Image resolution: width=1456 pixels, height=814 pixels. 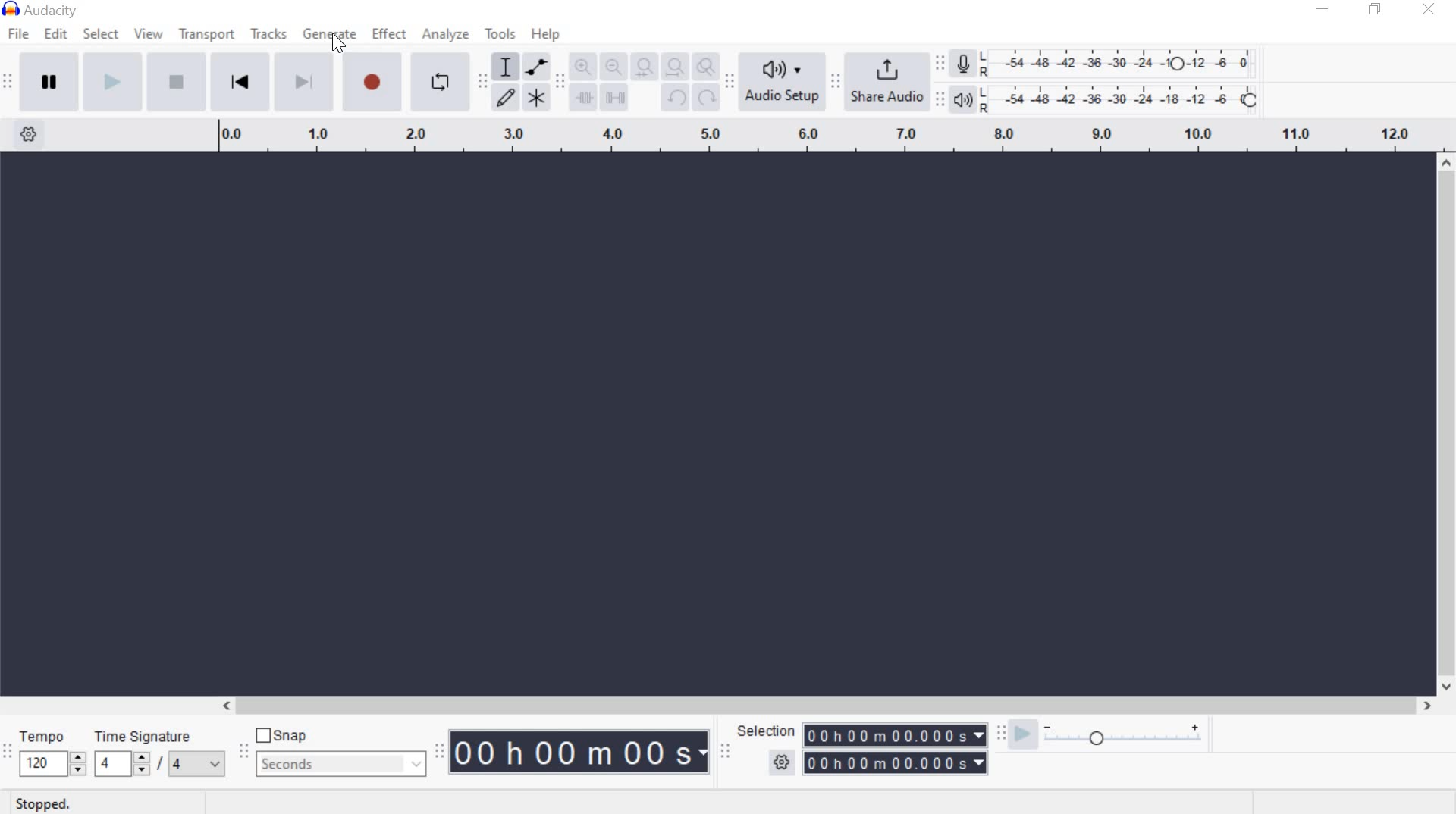 What do you see at coordinates (47, 9) in the screenshot?
I see `system name` at bounding box center [47, 9].